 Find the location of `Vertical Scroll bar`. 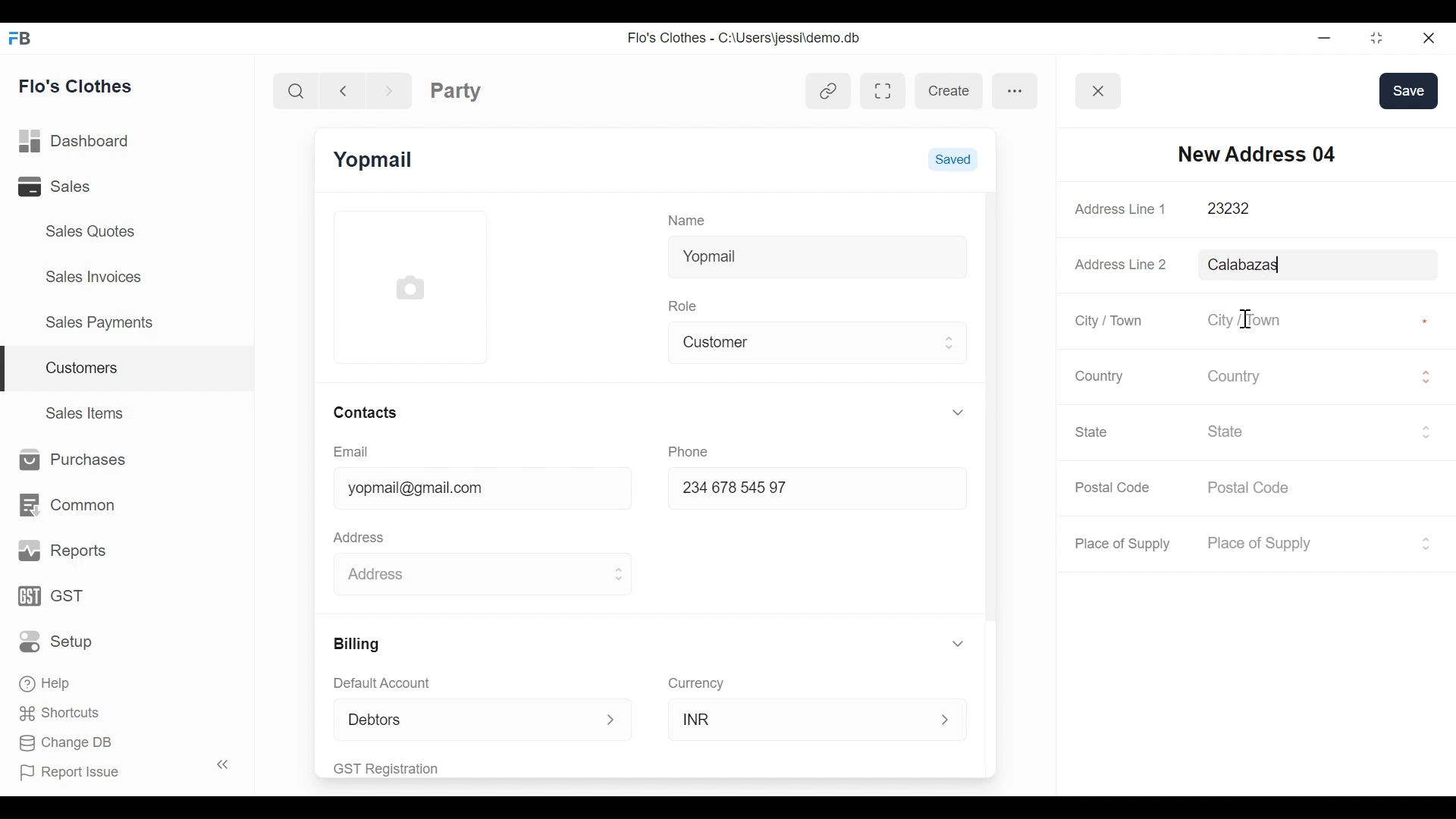

Vertical Scroll bar is located at coordinates (990, 407).